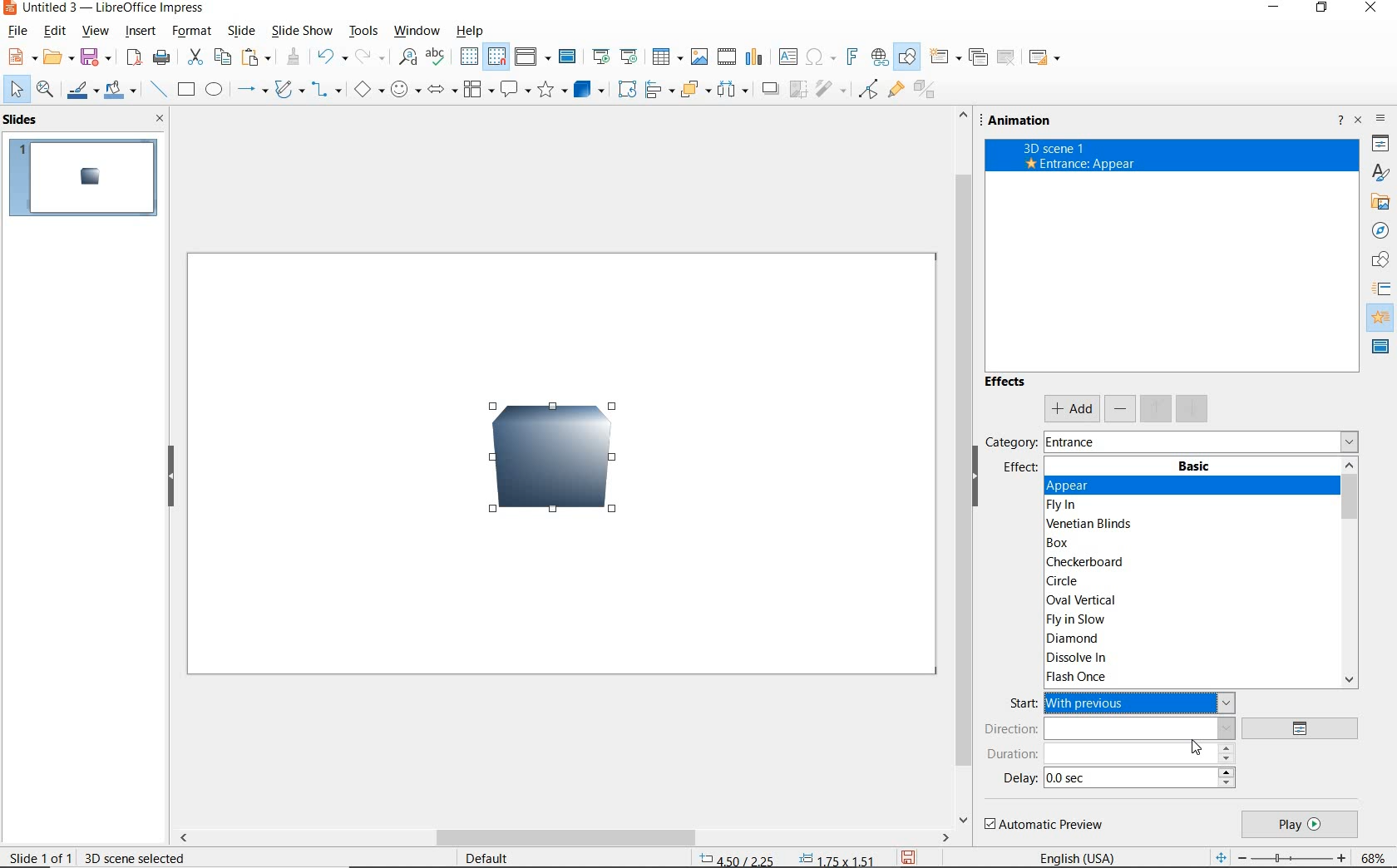 This screenshot has height=868, width=1397. I want to click on arrange, so click(695, 89).